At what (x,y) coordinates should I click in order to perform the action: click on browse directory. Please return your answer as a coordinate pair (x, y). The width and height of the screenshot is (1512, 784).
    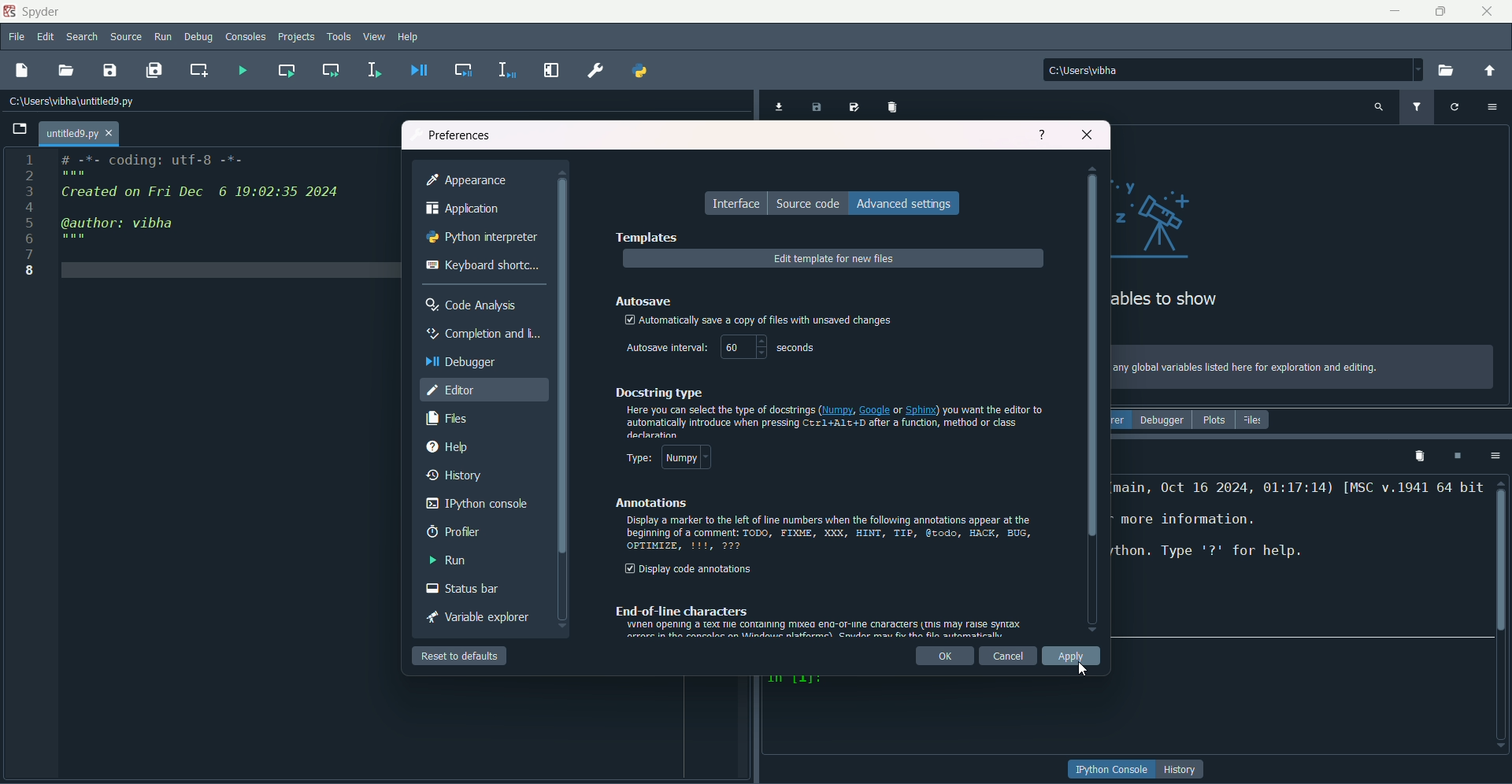
    Looking at the image, I should click on (1447, 71).